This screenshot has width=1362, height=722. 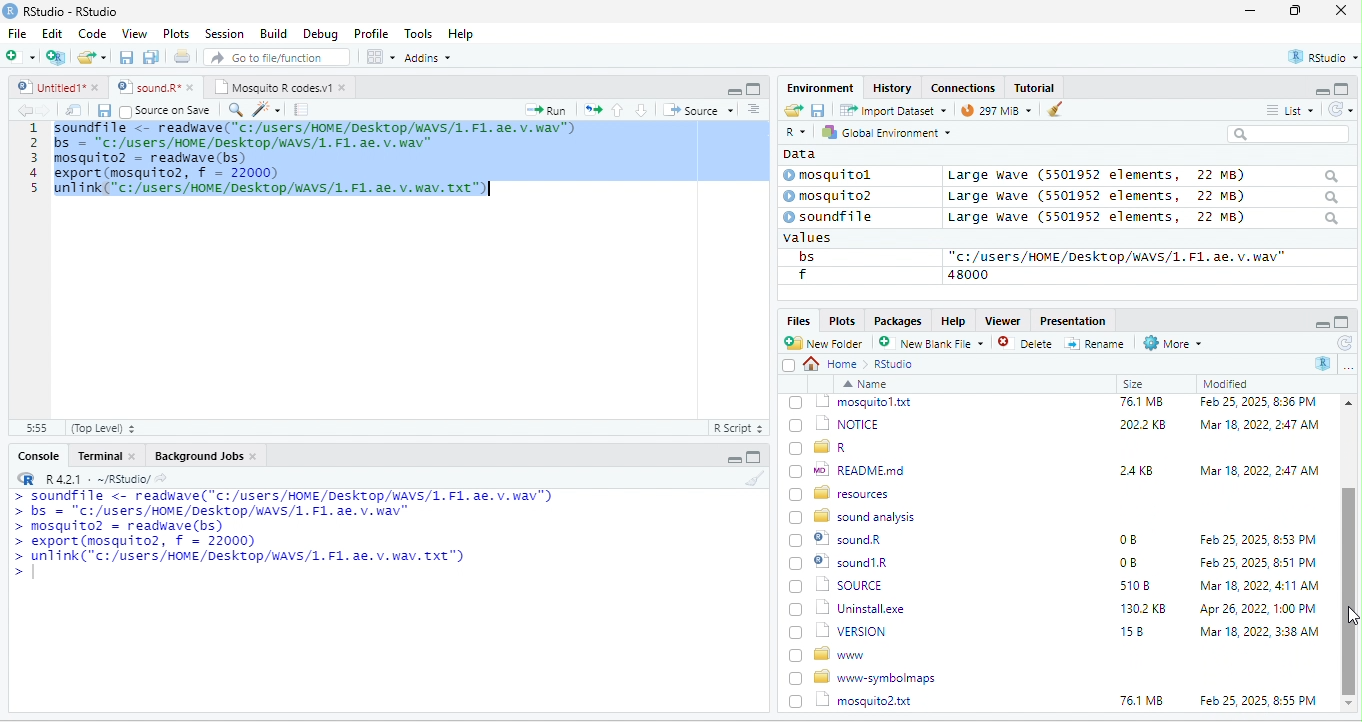 What do you see at coordinates (1130, 680) in the screenshot?
I see `5108` at bounding box center [1130, 680].